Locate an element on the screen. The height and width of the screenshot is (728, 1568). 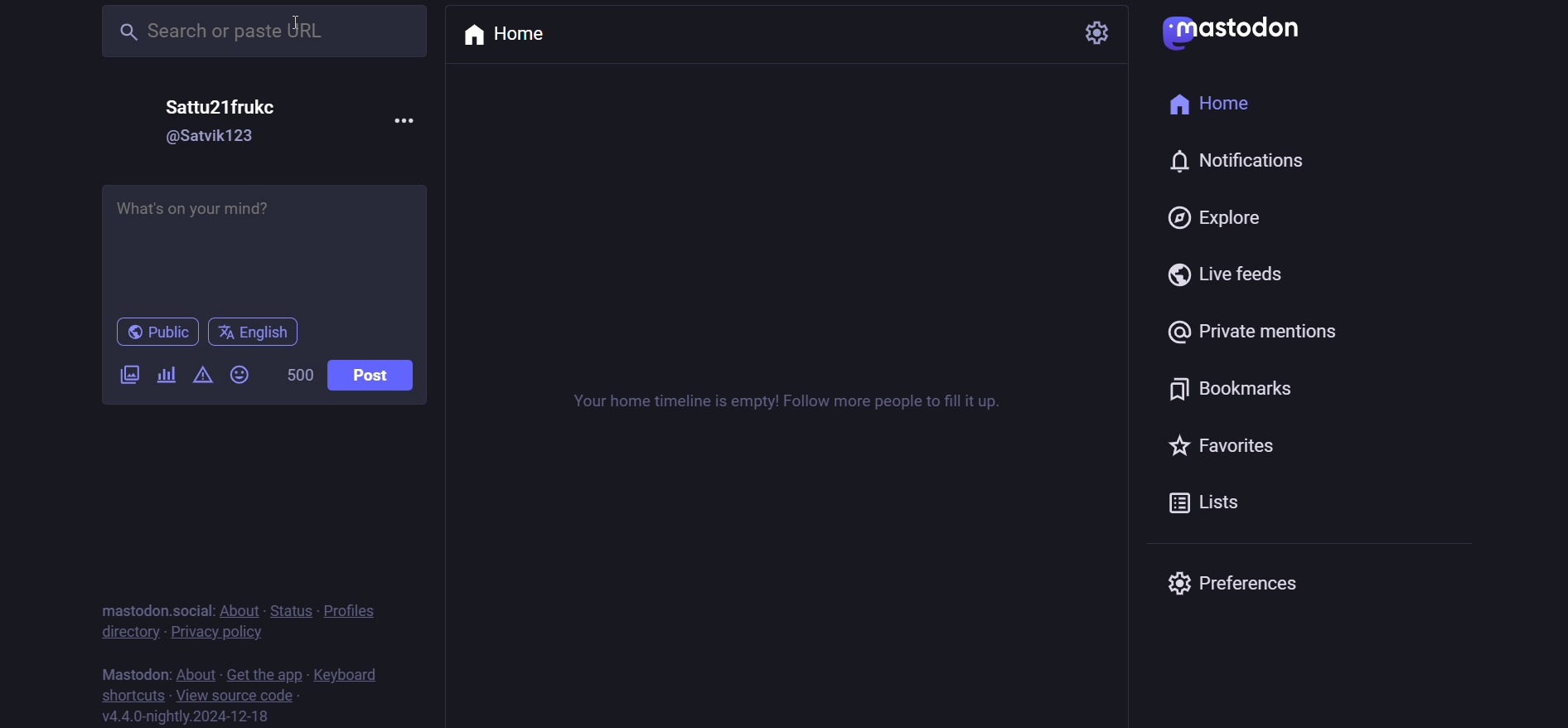
bookmark is located at coordinates (1239, 387).